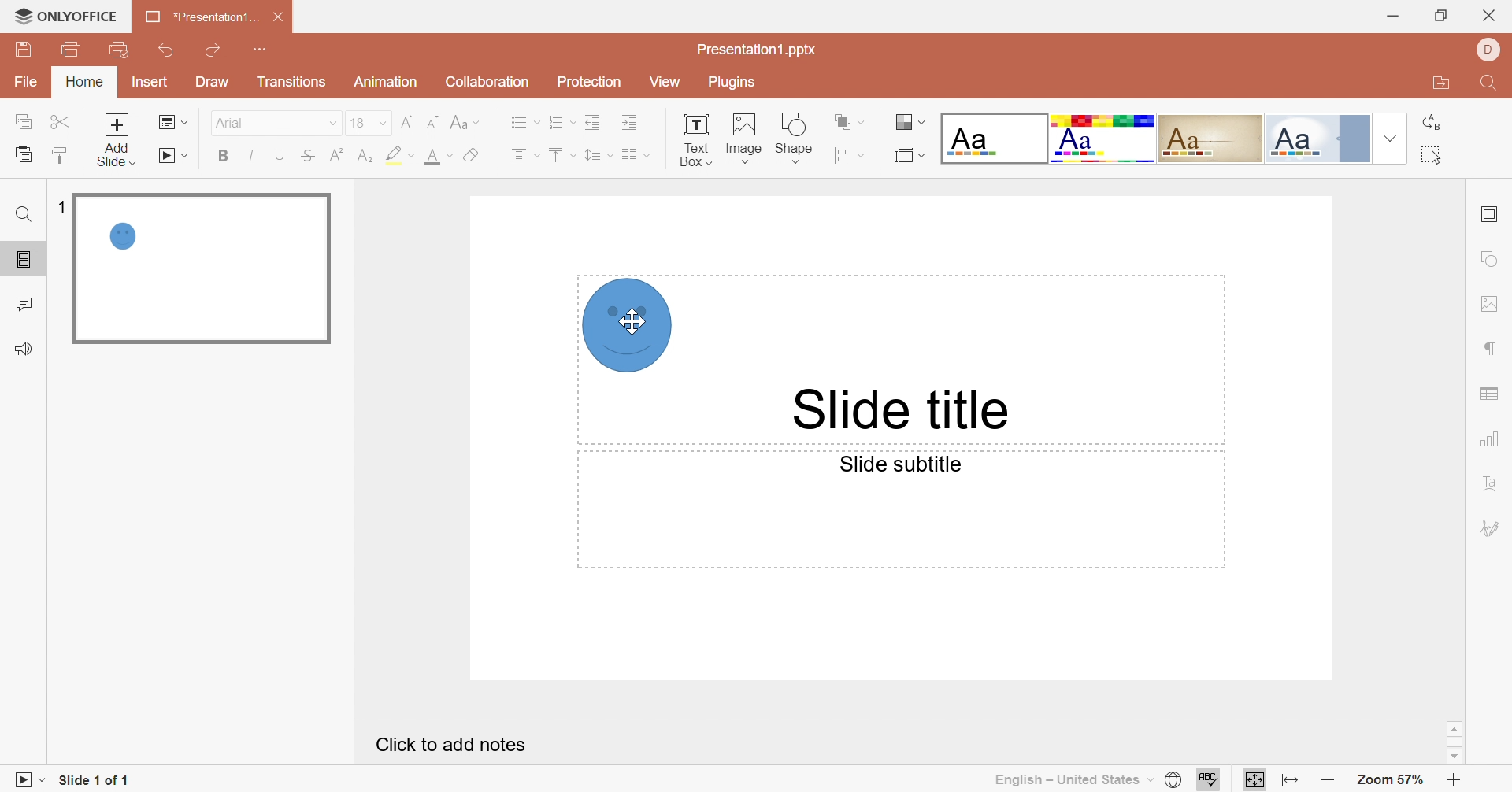 This screenshot has height=792, width=1512. I want to click on Set document language, so click(1176, 781).